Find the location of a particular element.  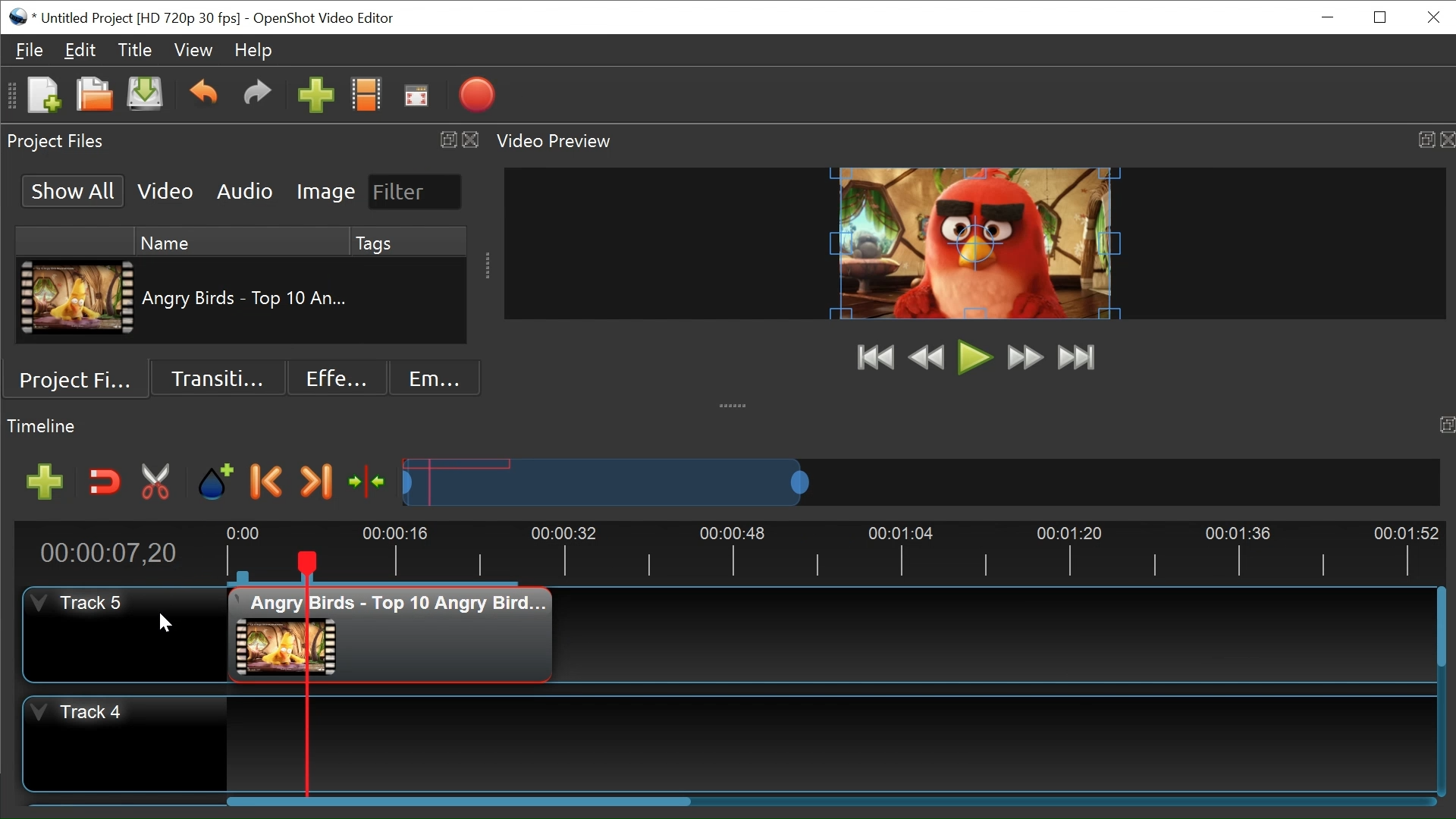

Video Preview is located at coordinates (975, 143).